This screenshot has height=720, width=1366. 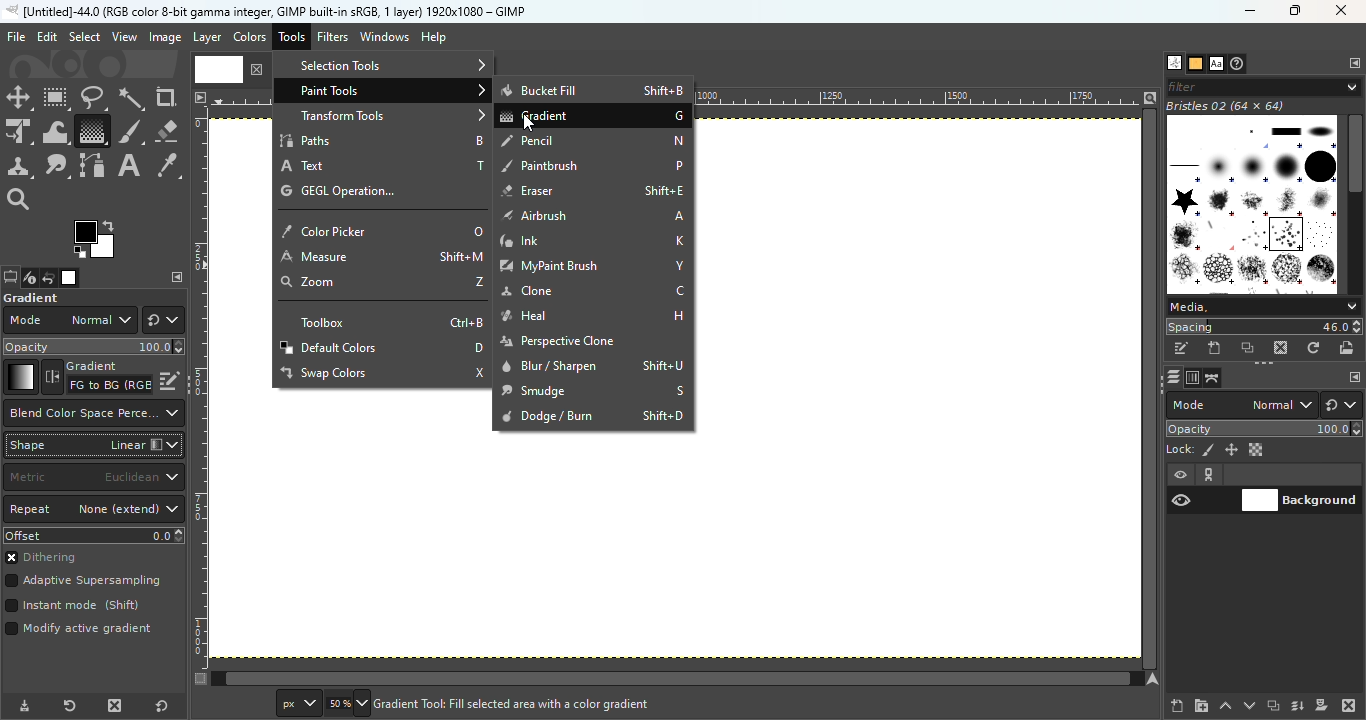 I want to click on Mode active gradient, so click(x=82, y=633).